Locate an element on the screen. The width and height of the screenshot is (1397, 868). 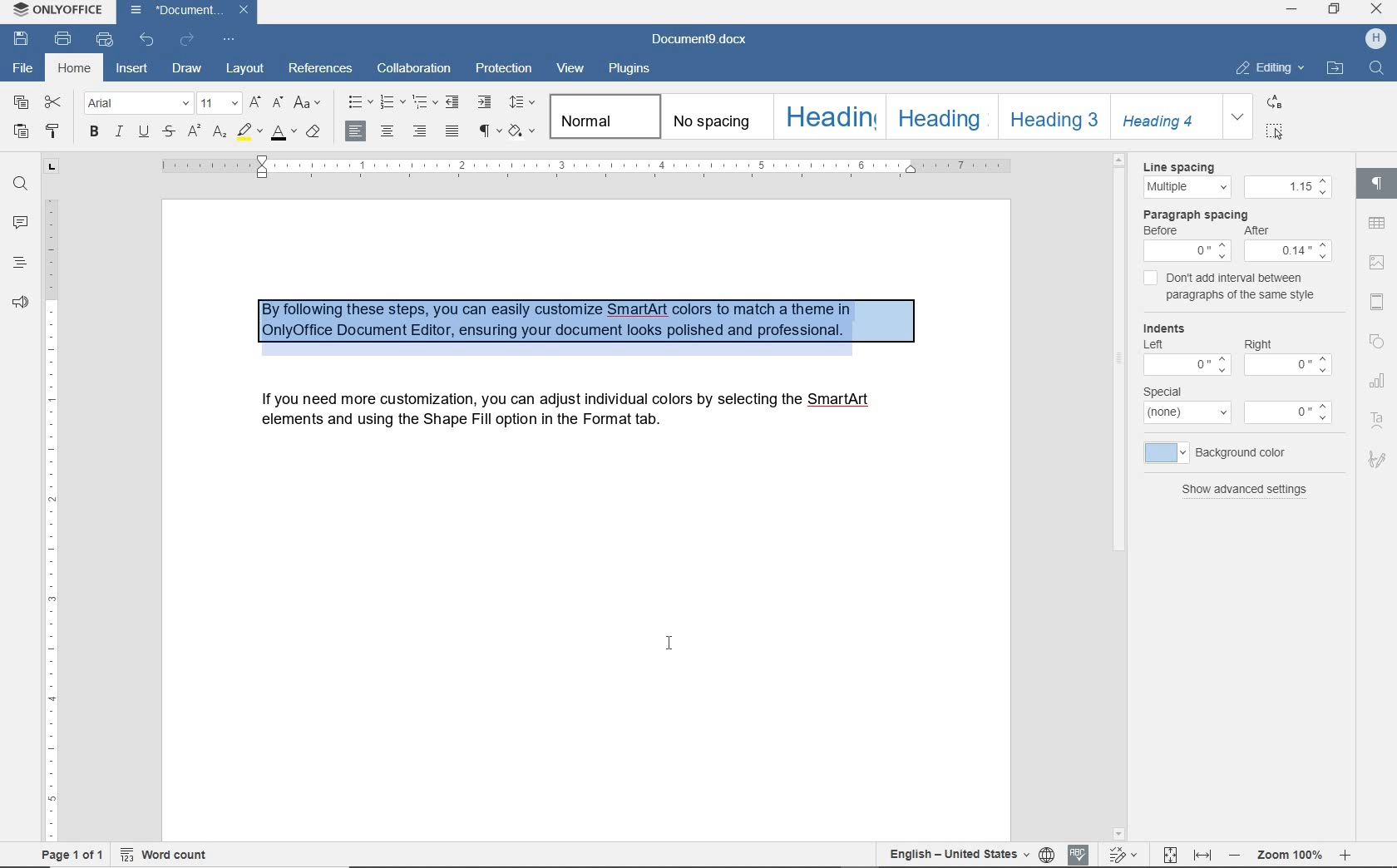
justified is located at coordinates (449, 133).